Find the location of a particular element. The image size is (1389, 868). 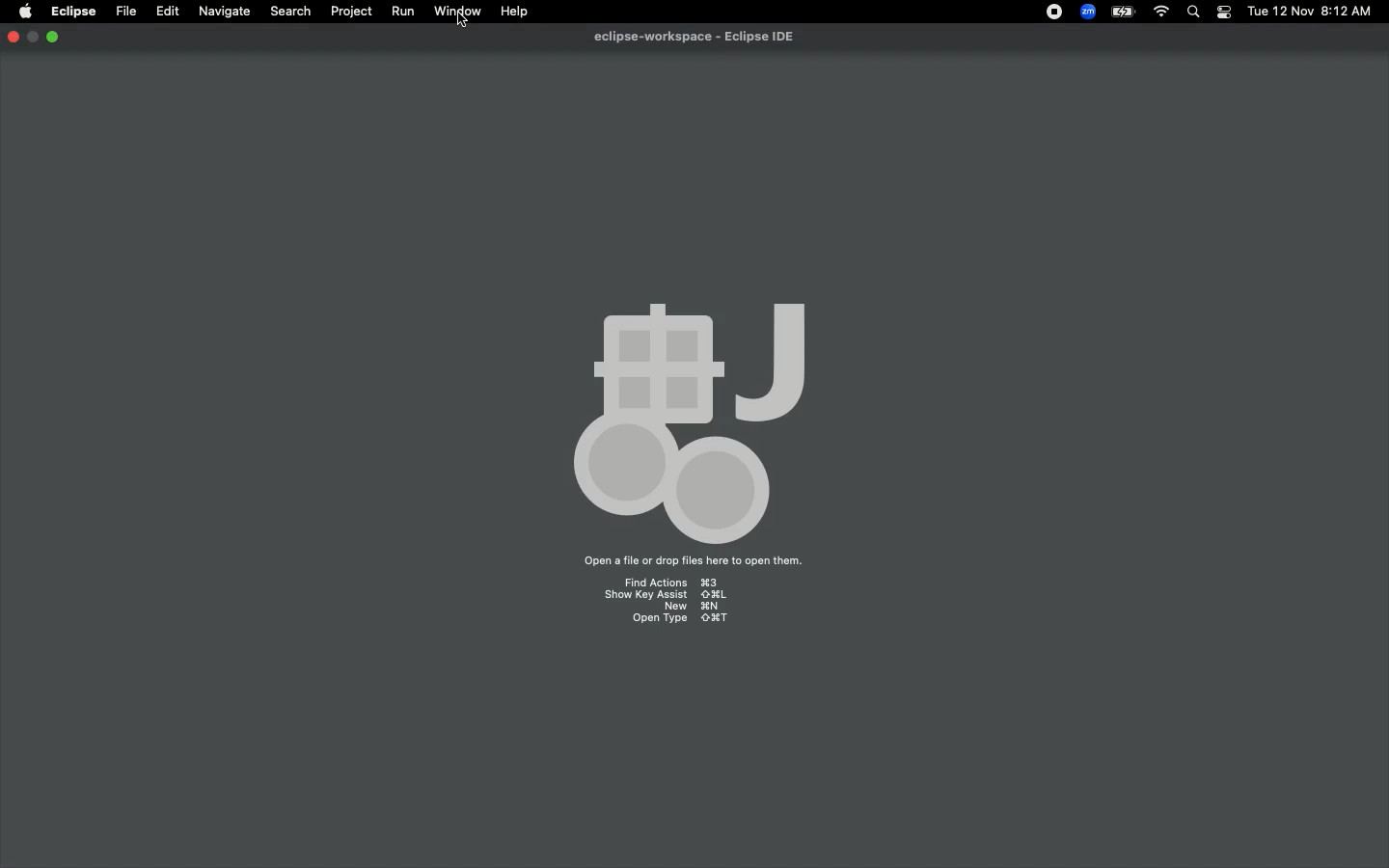

Show key assist is located at coordinates (665, 594).